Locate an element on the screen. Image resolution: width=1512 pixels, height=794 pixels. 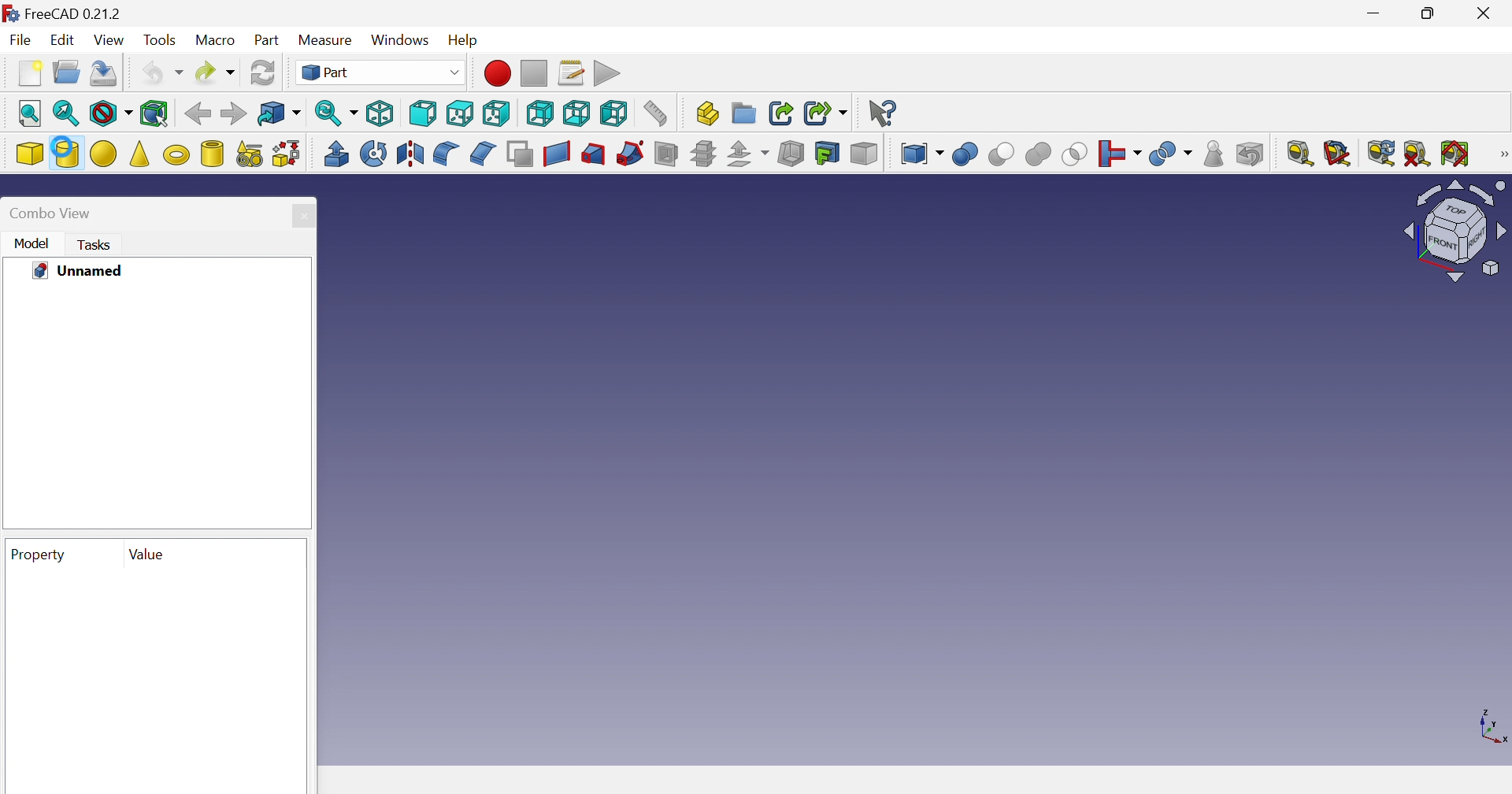
Clear all is located at coordinates (1417, 155).